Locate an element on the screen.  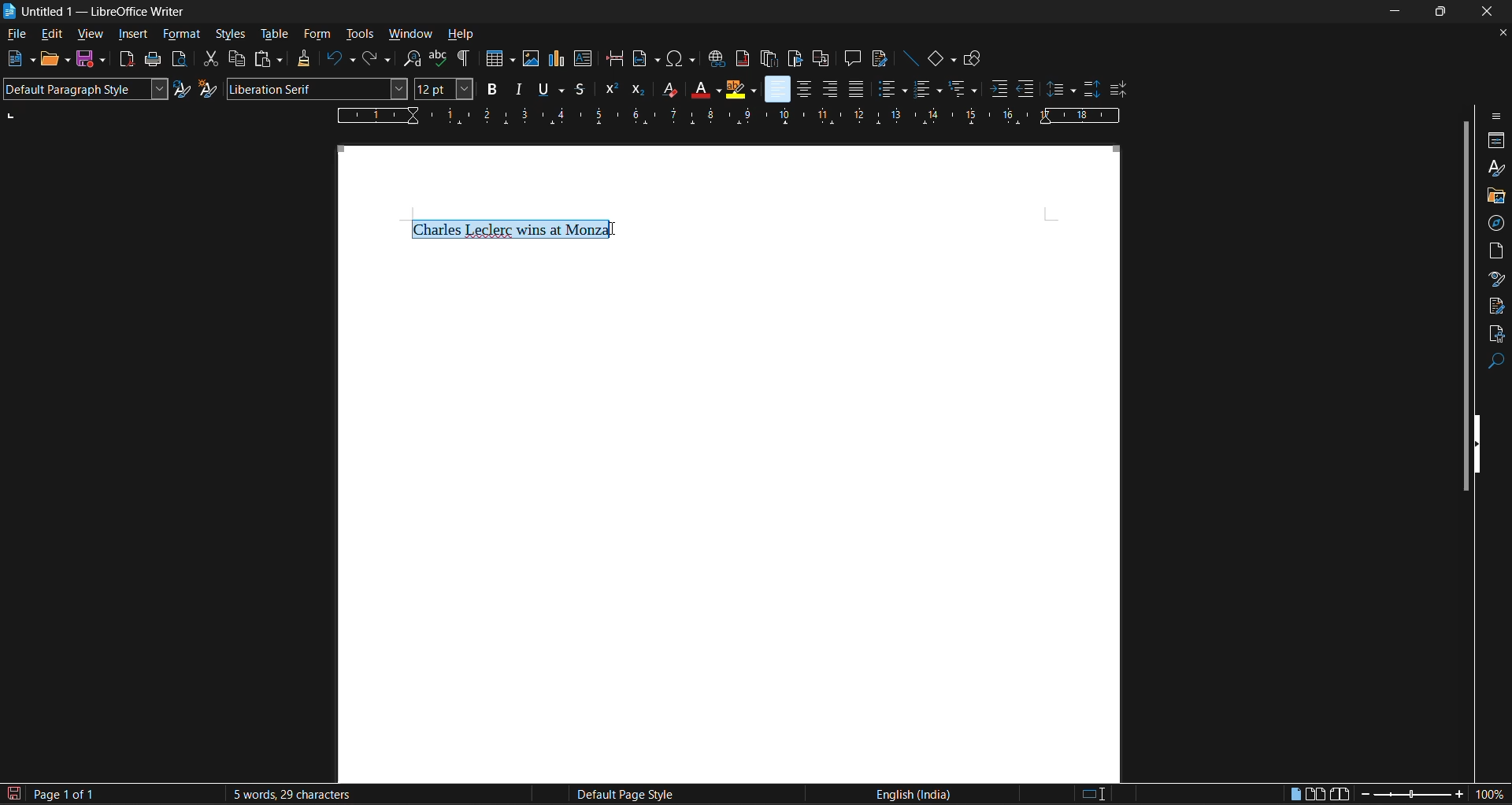
zoom factor is located at coordinates (1492, 793).